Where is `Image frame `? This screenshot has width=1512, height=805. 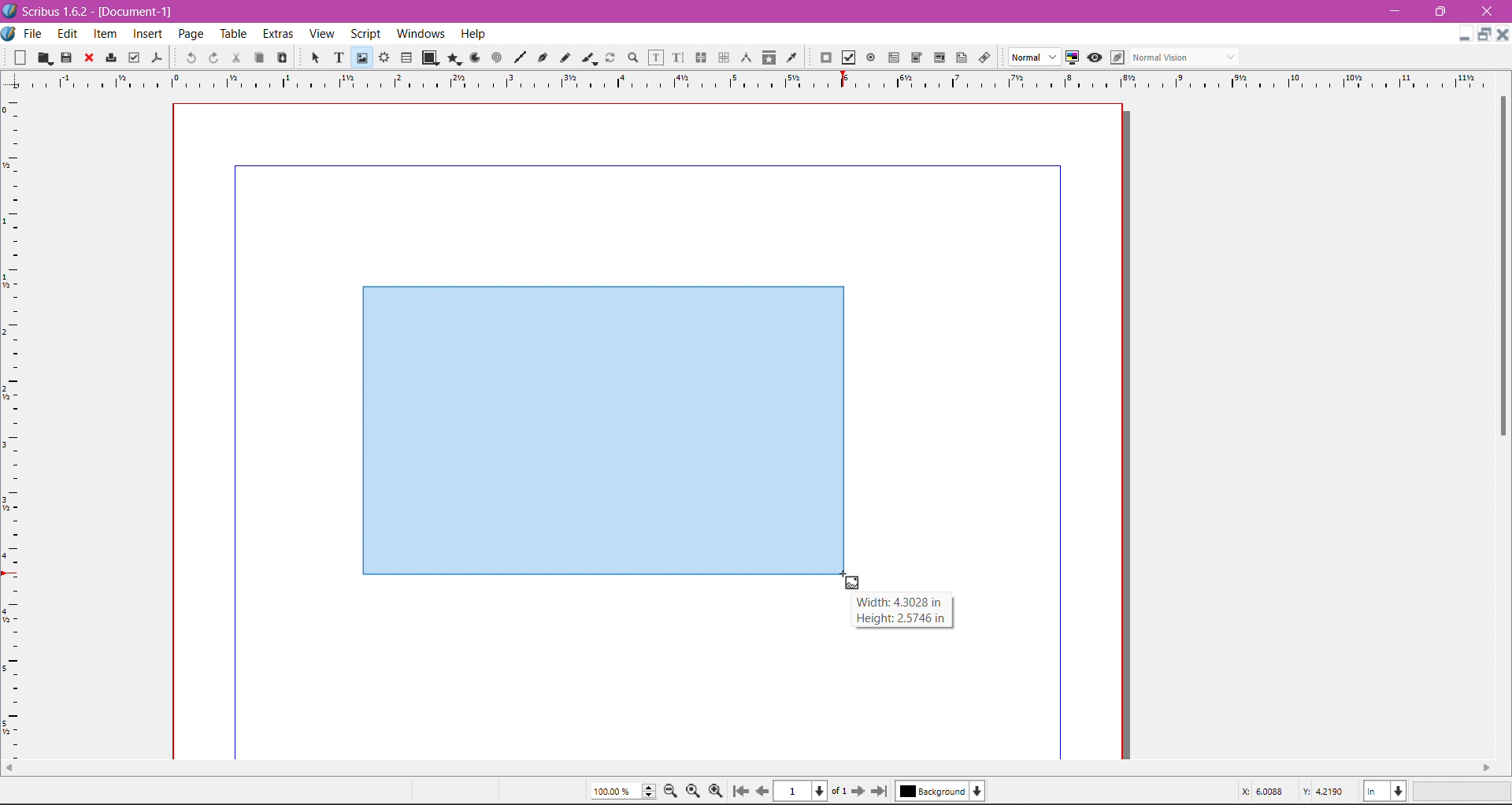 Image frame  is located at coordinates (601, 425).